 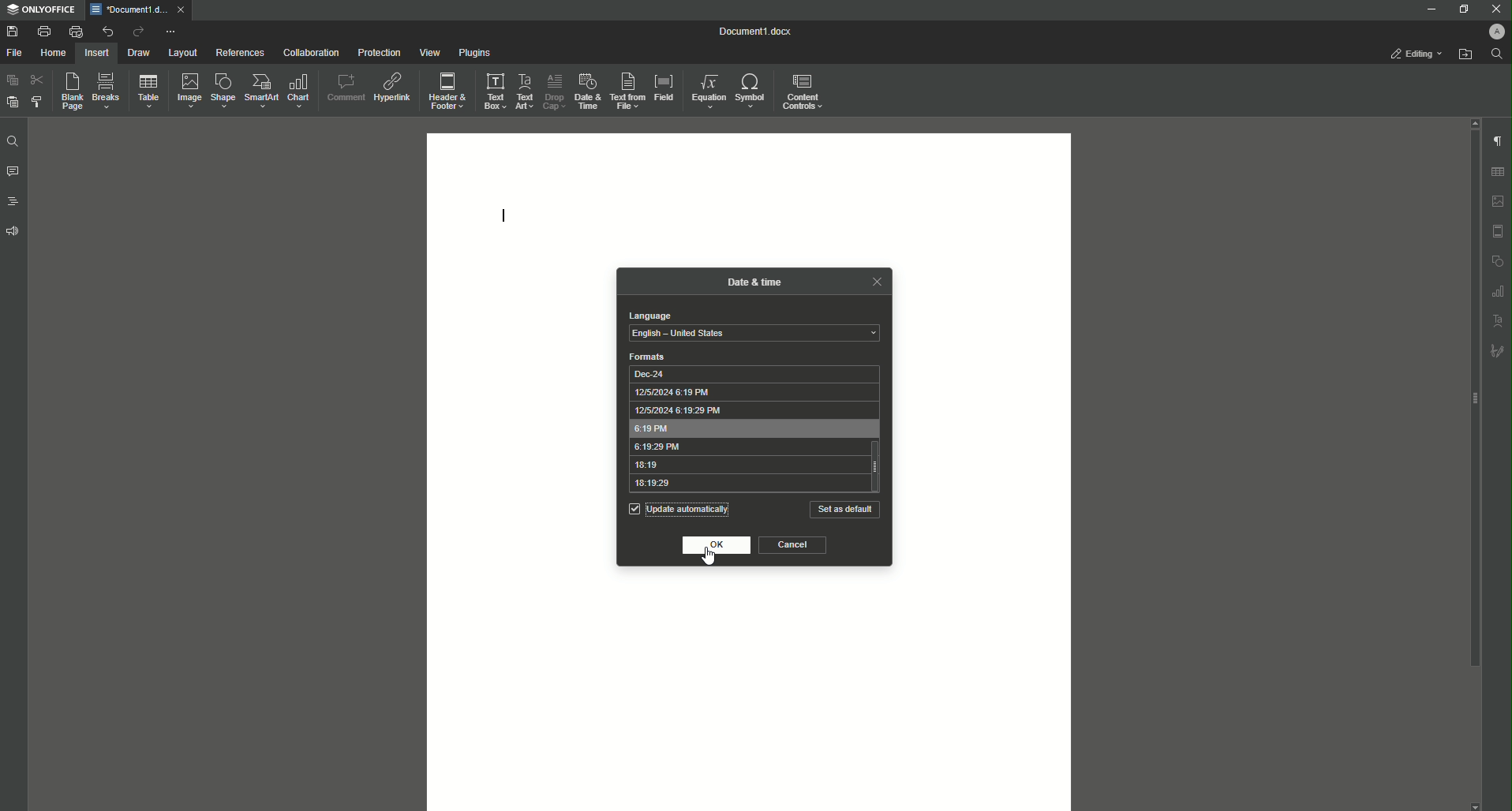 What do you see at coordinates (425, 52) in the screenshot?
I see `View` at bounding box center [425, 52].